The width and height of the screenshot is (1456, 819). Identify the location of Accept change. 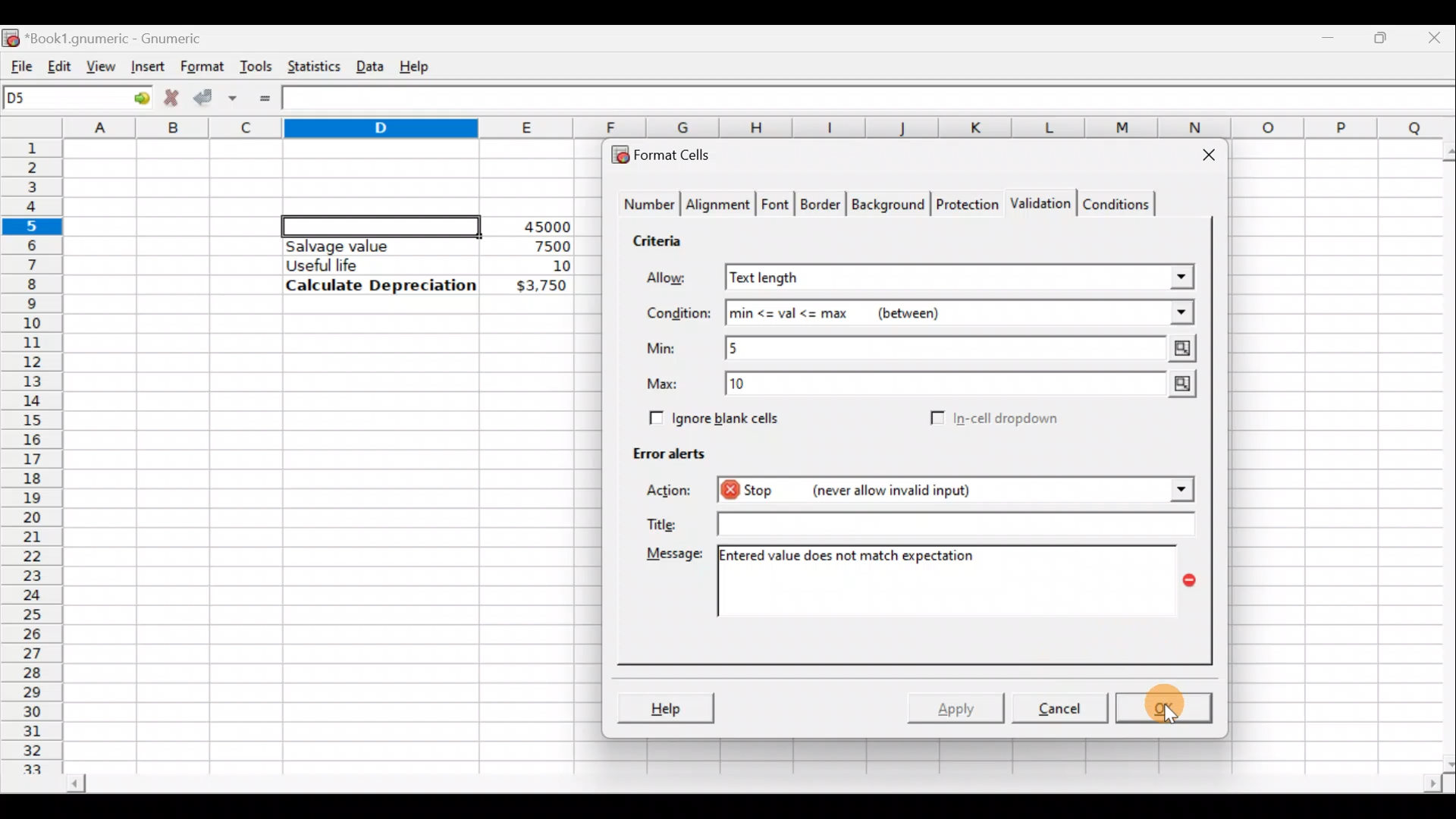
(215, 96).